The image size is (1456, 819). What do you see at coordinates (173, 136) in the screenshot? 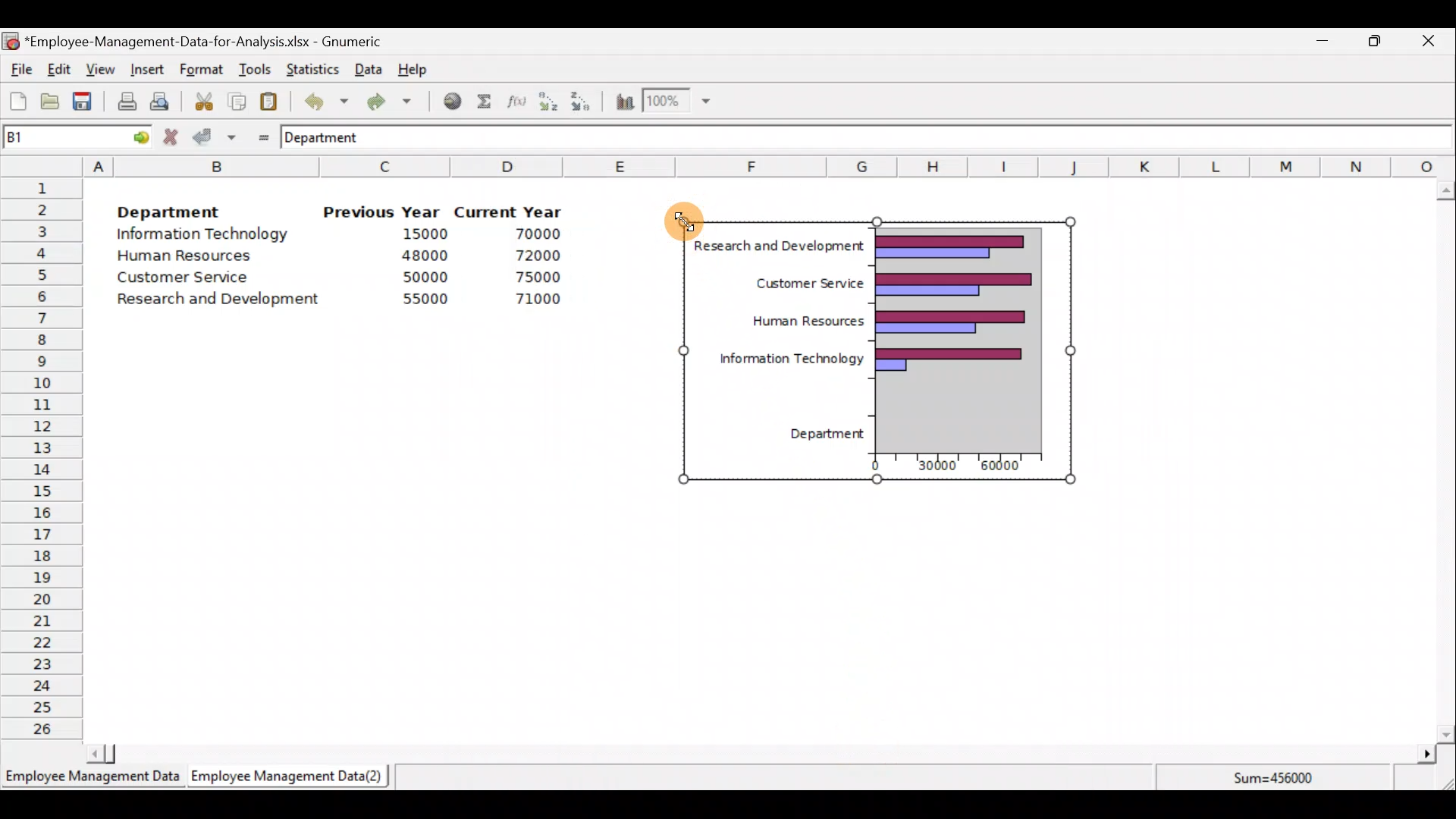
I see `Cancel change` at bounding box center [173, 136].